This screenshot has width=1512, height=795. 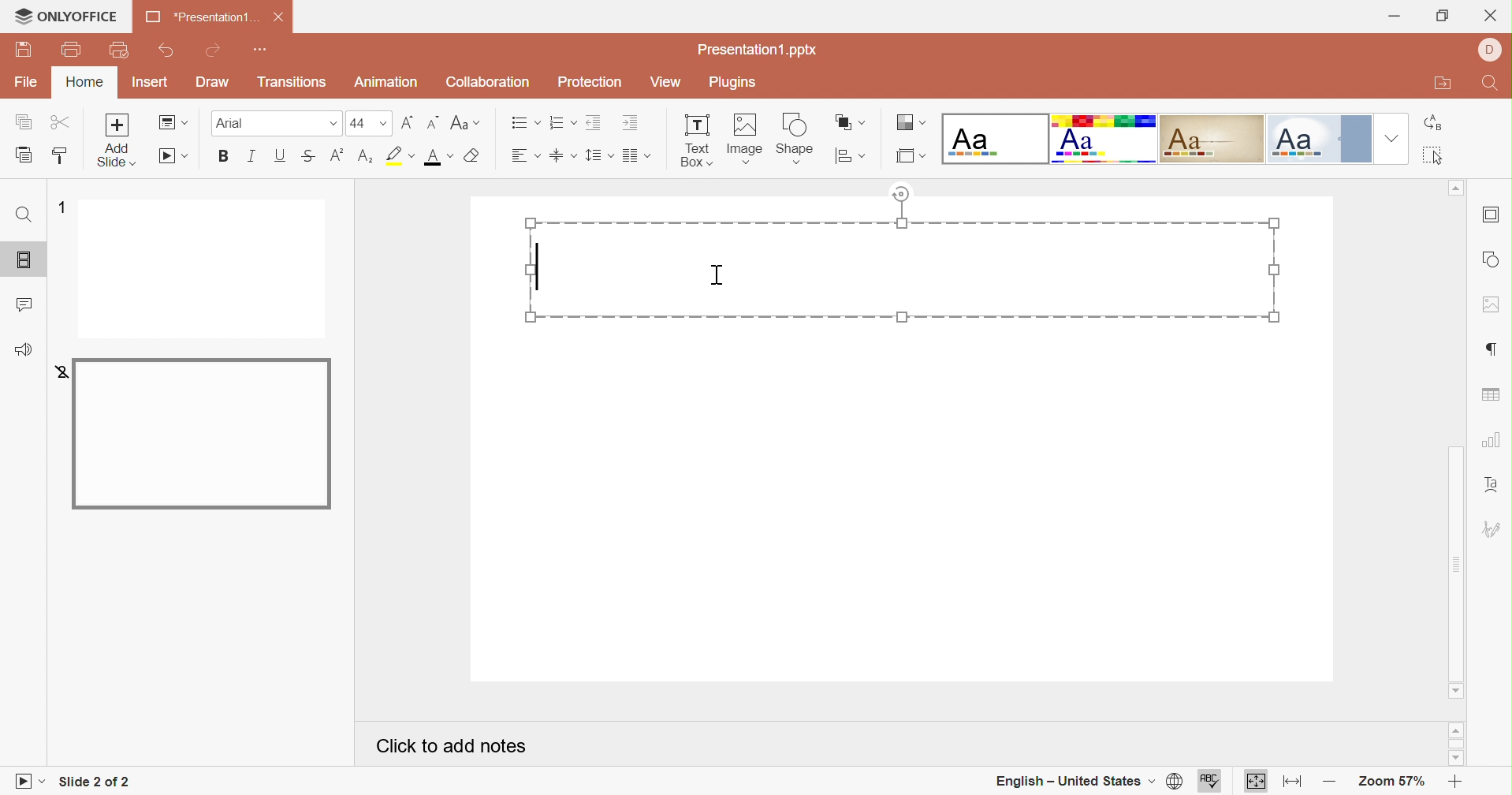 I want to click on Highlight color, so click(x=402, y=154).